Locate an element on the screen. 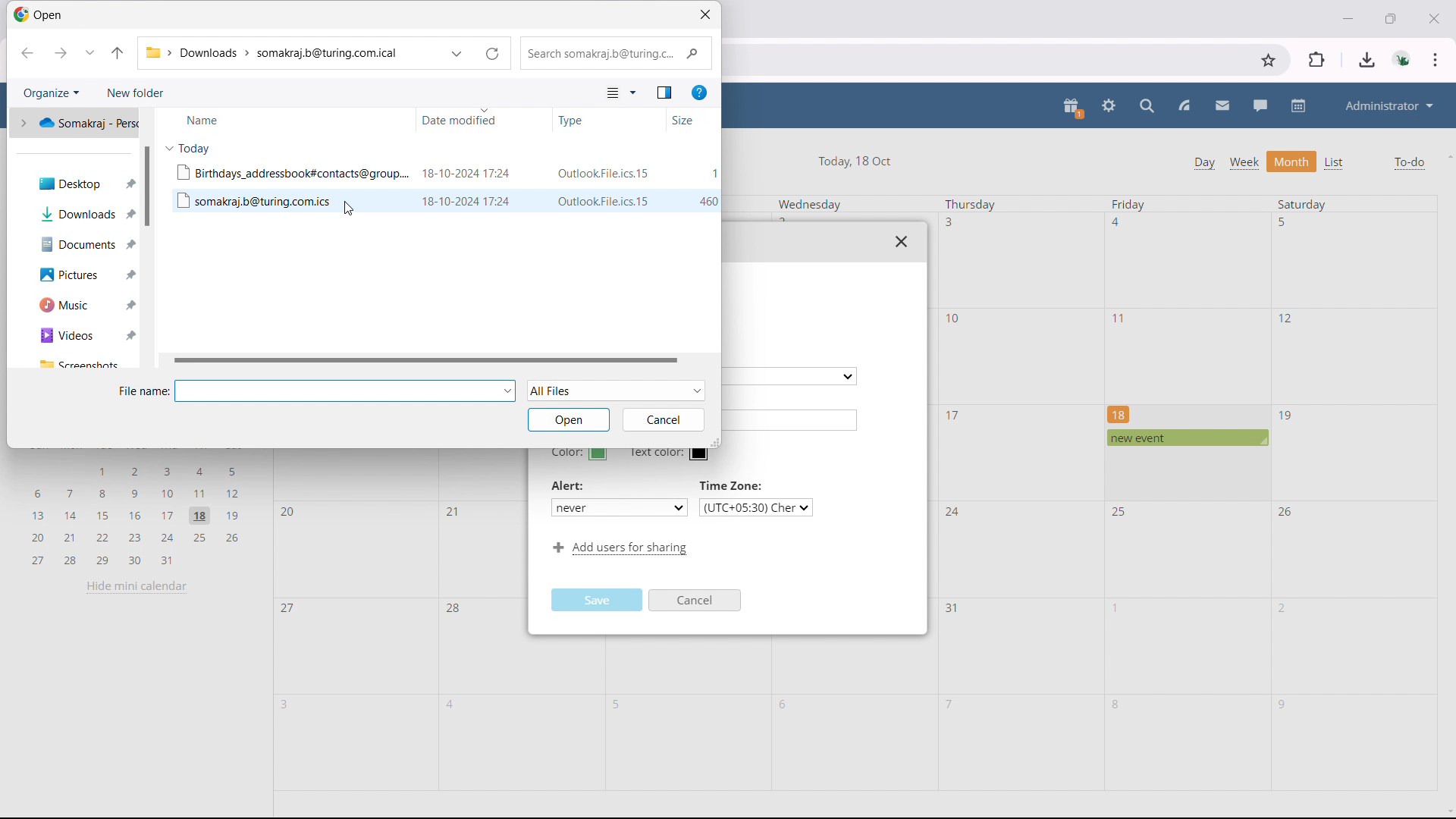 Image resolution: width=1456 pixels, height=819 pixels. month is located at coordinates (1292, 162).